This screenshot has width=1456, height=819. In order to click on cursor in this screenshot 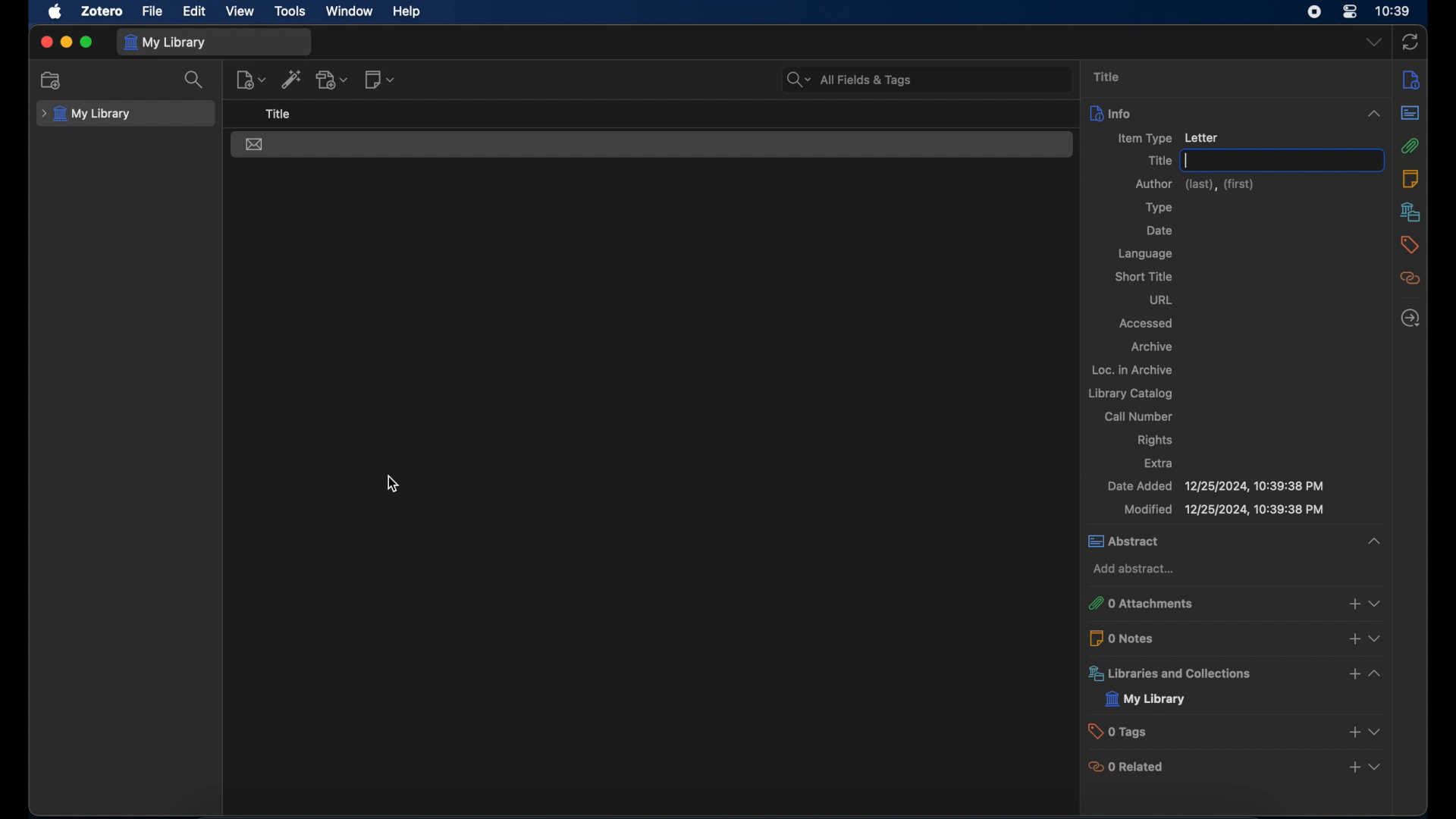, I will do `click(391, 484)`.